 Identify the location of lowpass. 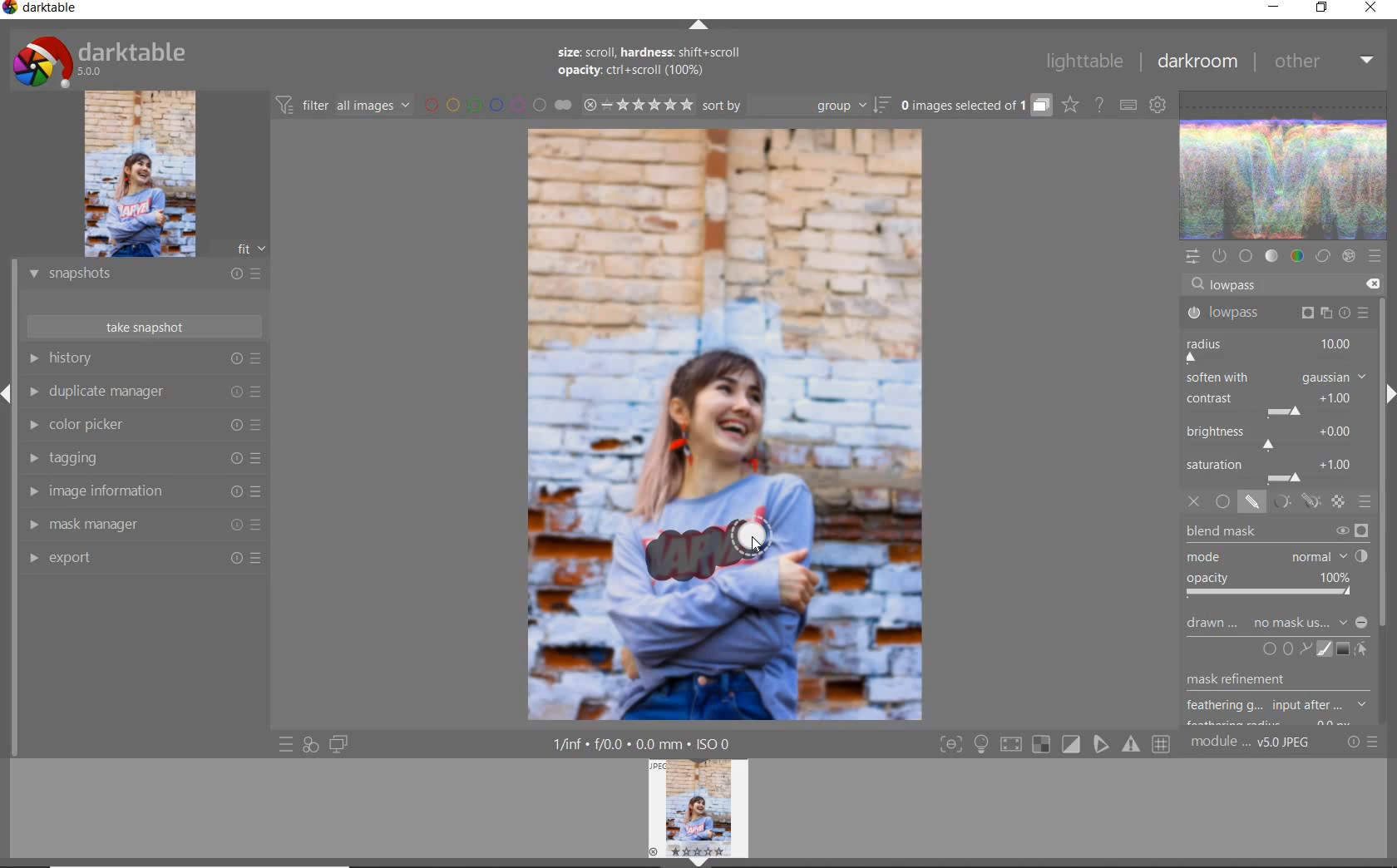
(1241, 286).